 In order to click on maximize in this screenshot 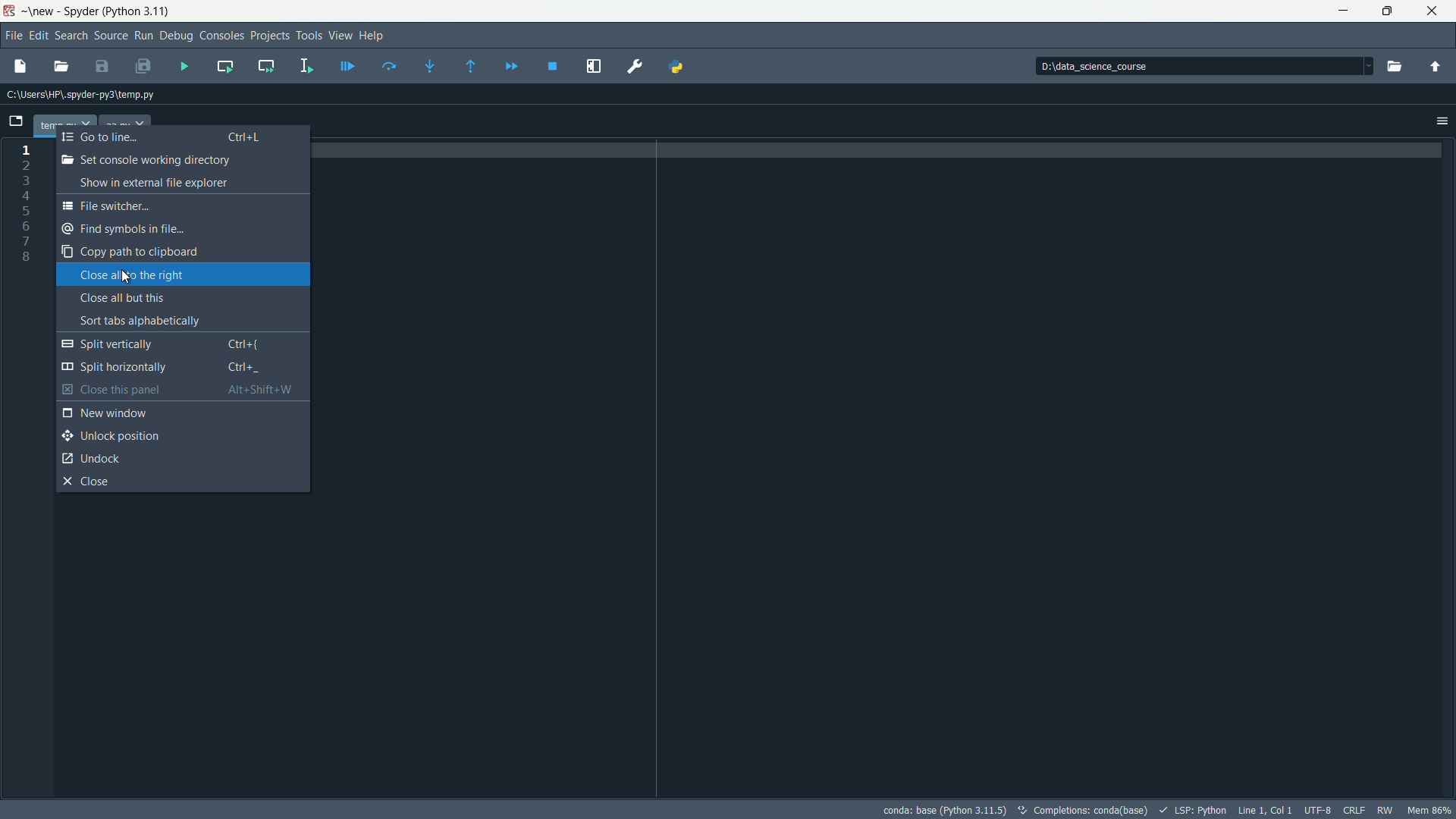, I will do `click(1384, 10)`.